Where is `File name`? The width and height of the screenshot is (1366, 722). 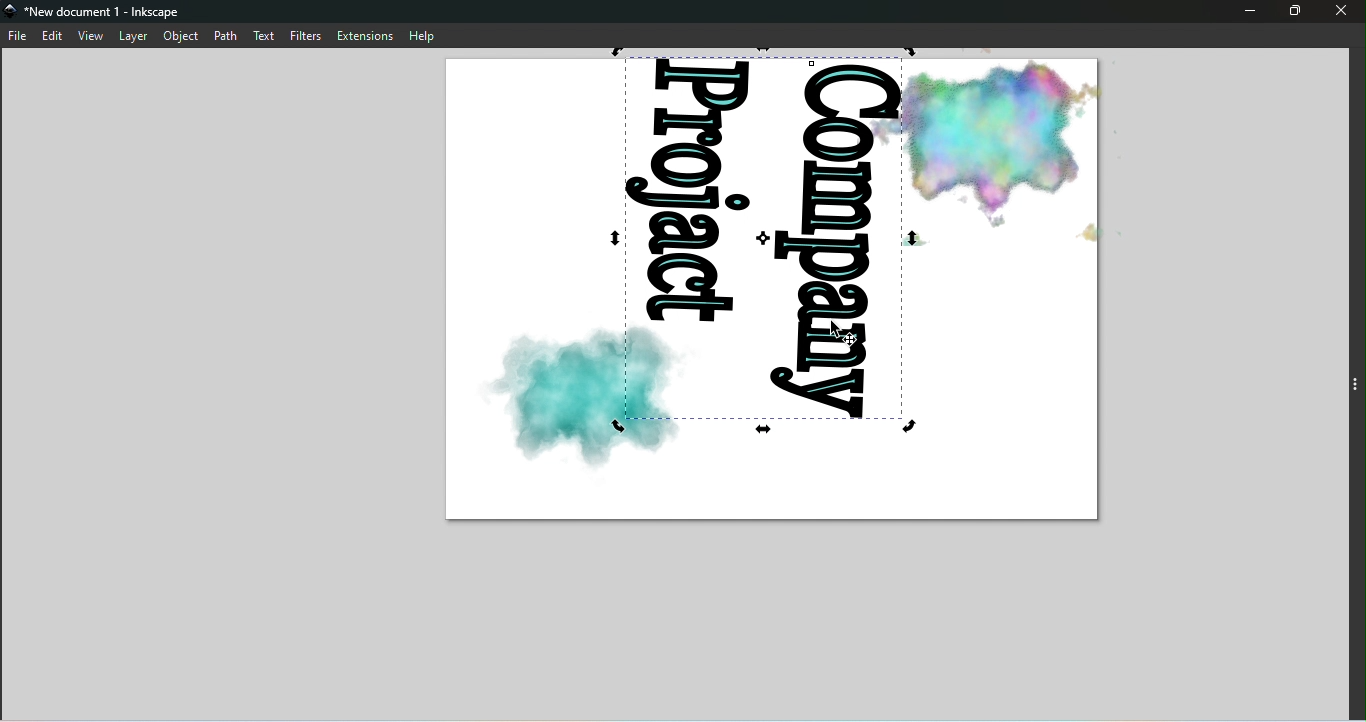
File name is located at coordinates (101, 11).